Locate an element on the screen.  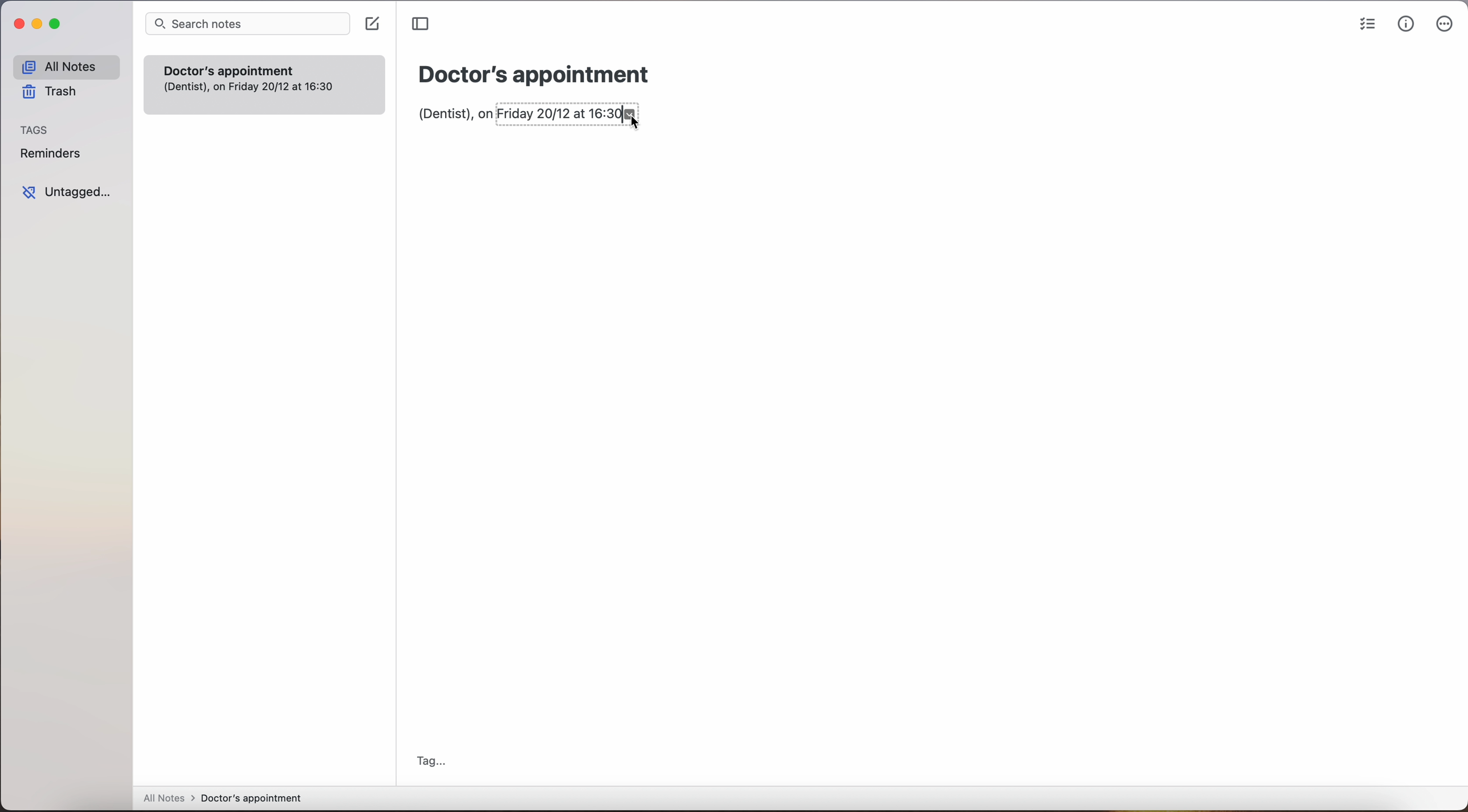
Tags is located at coordinates (36, 130).